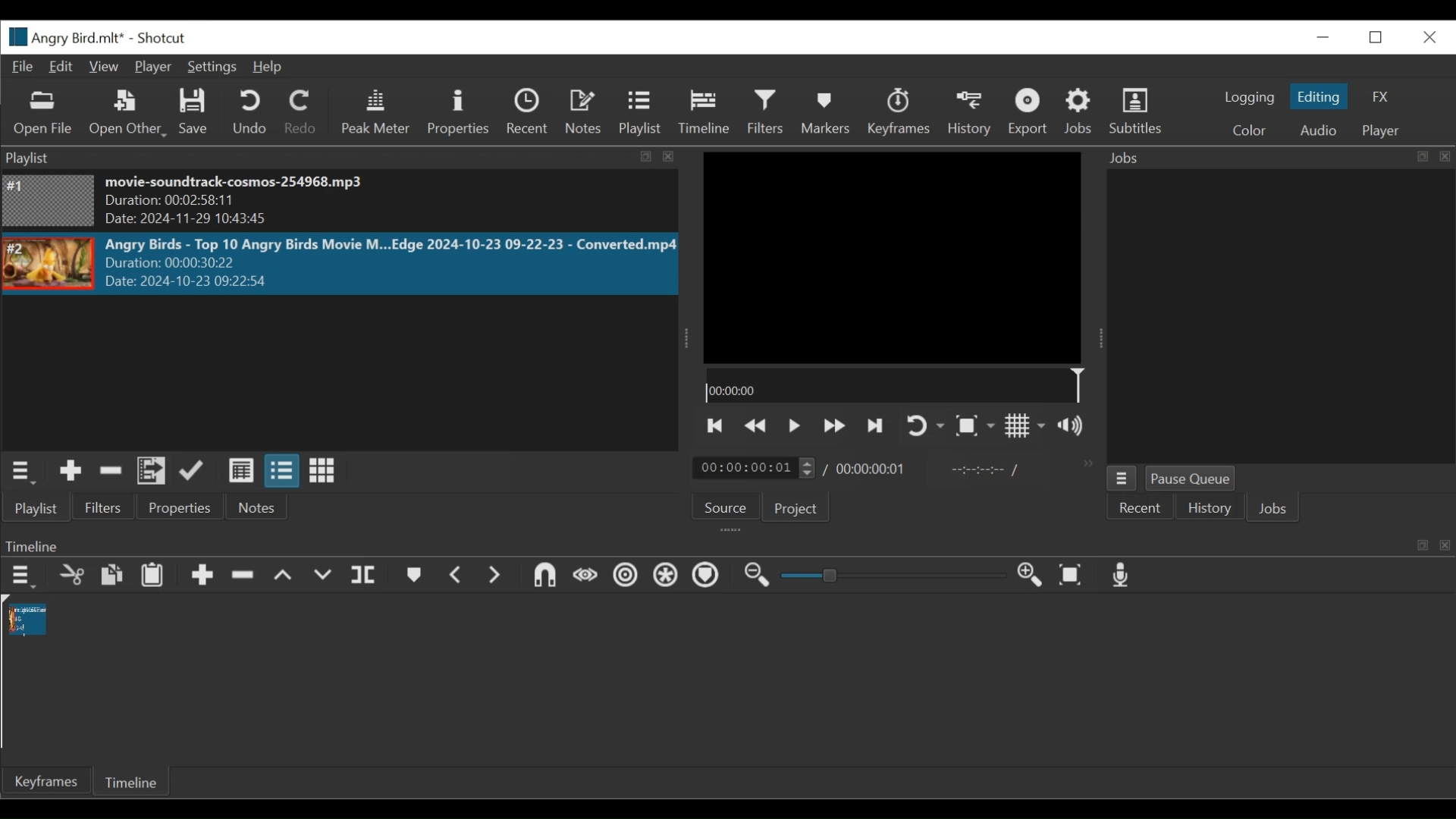 This screenshot has height=819, width=1456. What do you see at coordinates (42, 507) in the screenshot?
I see `Playlist` at bounding box center [42, 507].